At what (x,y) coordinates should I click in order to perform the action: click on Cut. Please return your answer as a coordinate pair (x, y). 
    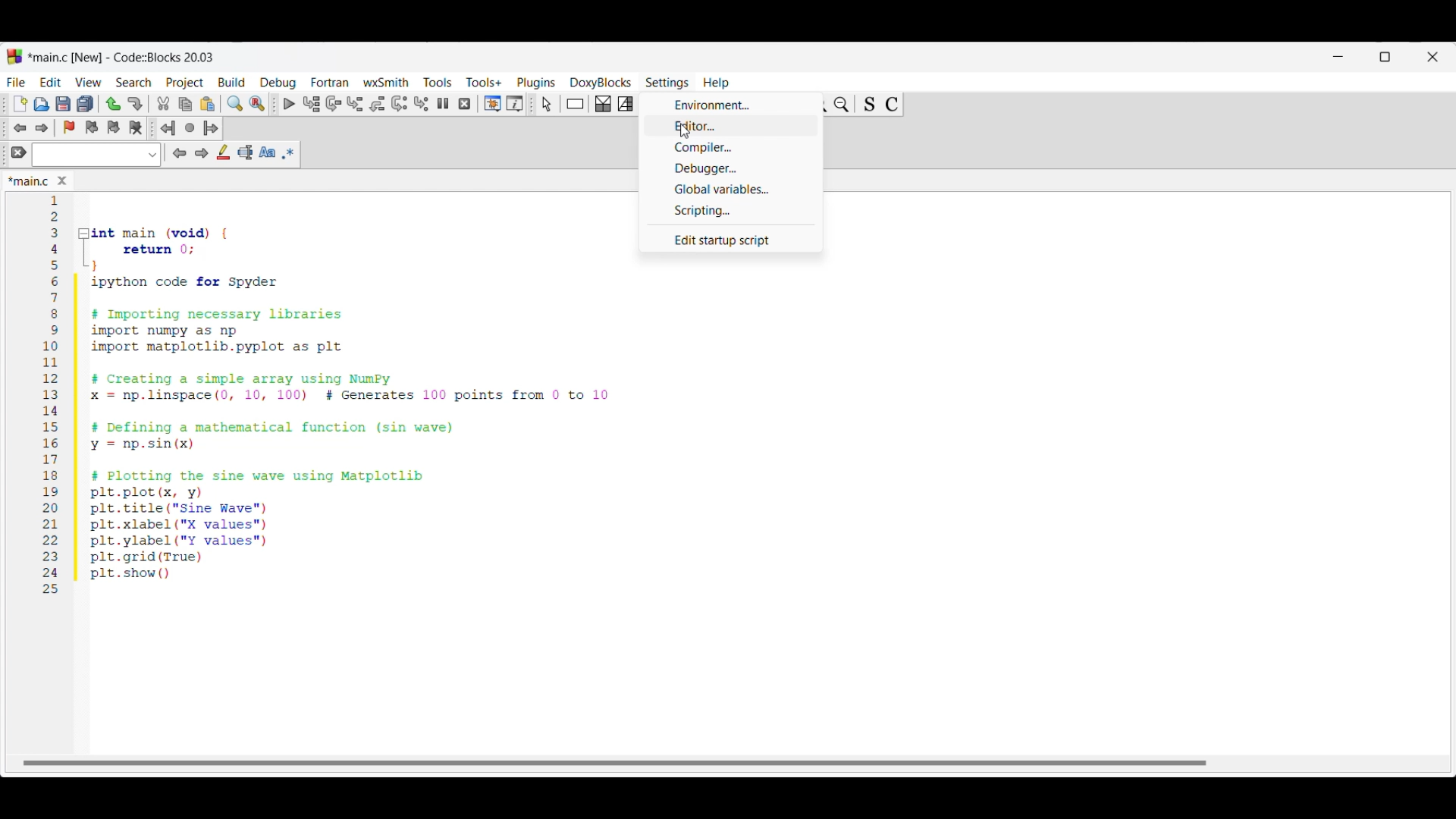
    Looking at the image, I should click on (164, 103).